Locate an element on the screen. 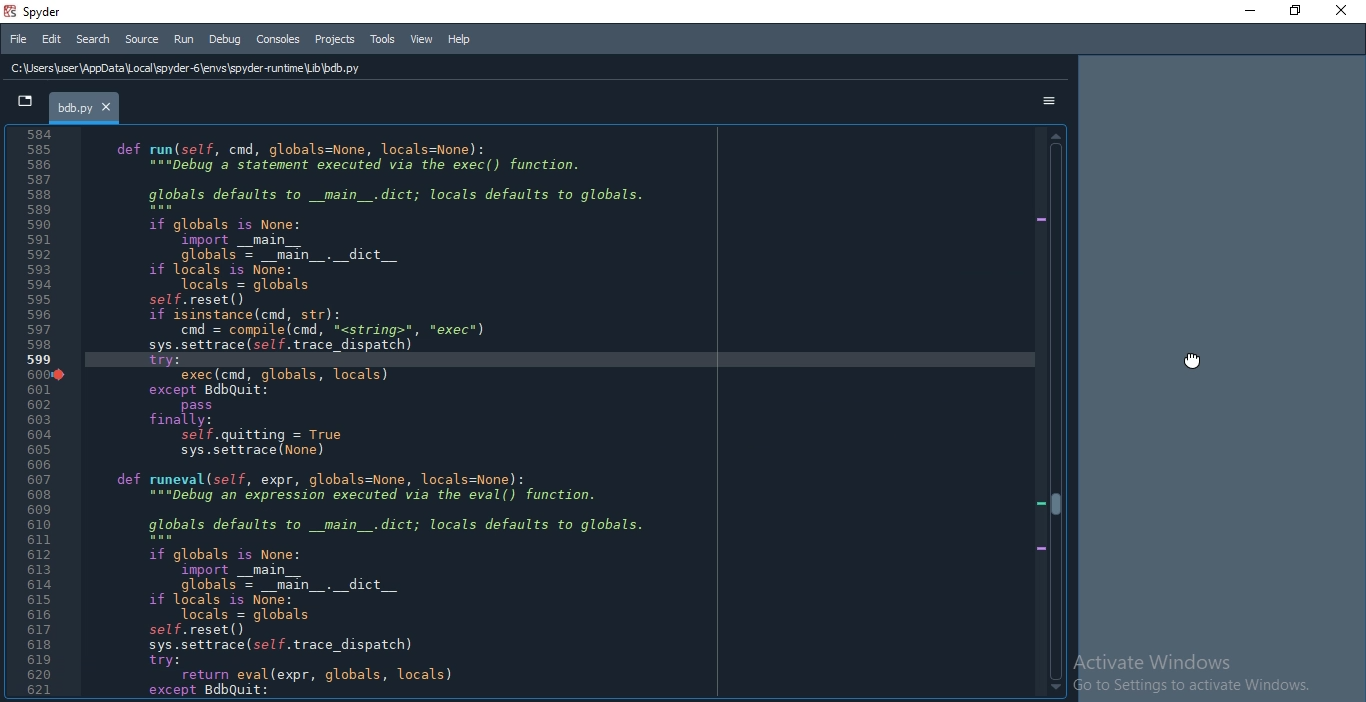  tab is located at coordinates (25, 100).